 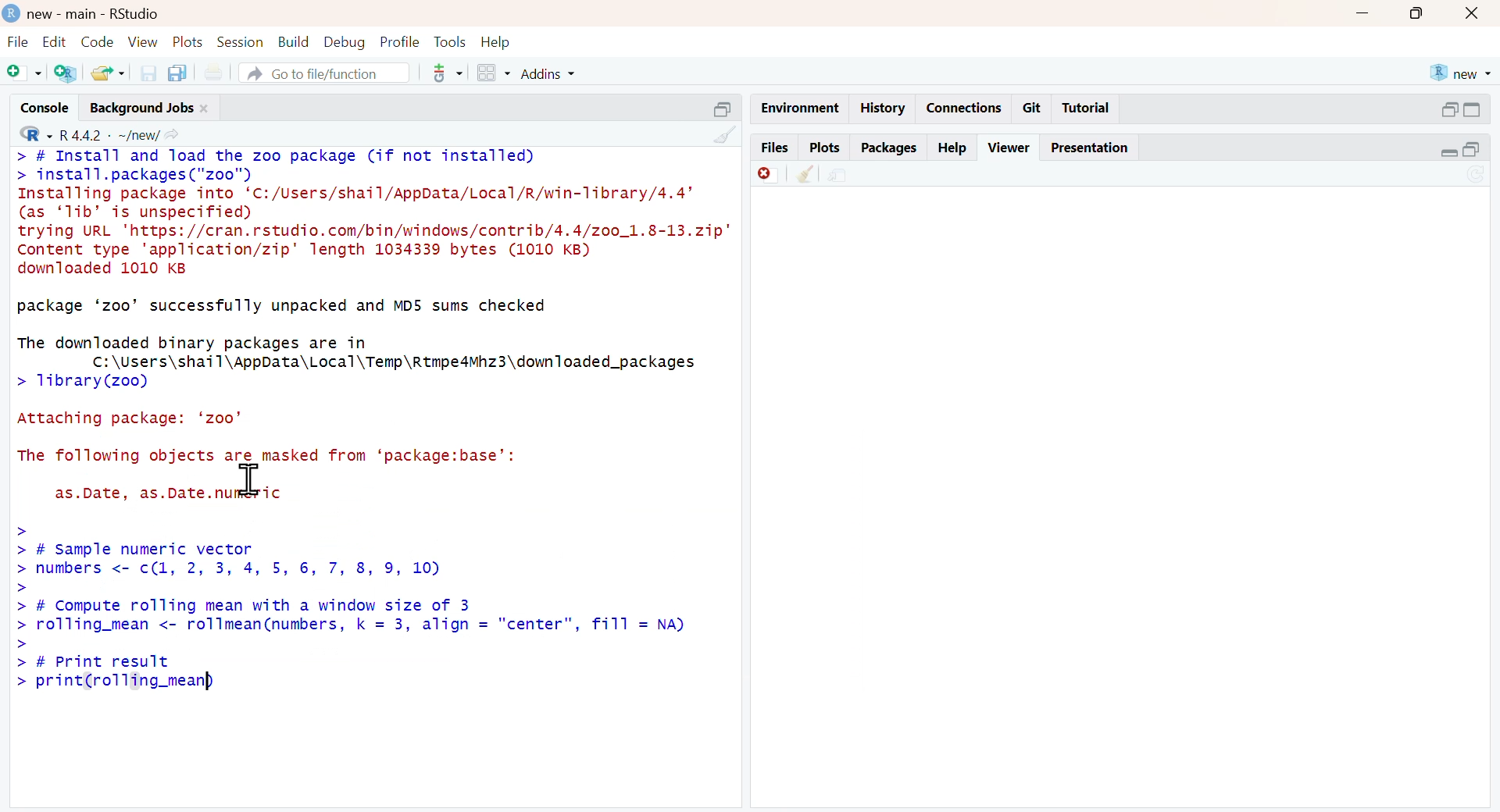 I want to click on go to file/function, so click(x=323, y=73).